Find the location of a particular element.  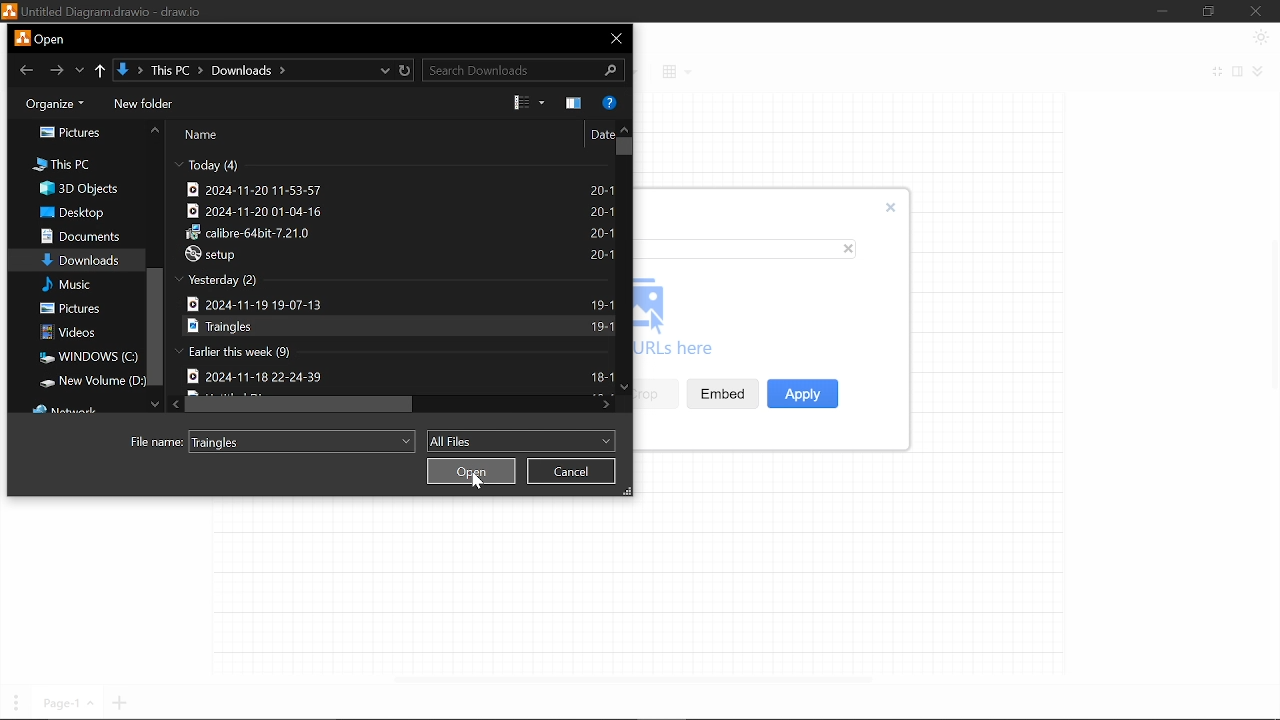

Restore down is located at coordinates (1209, 12).